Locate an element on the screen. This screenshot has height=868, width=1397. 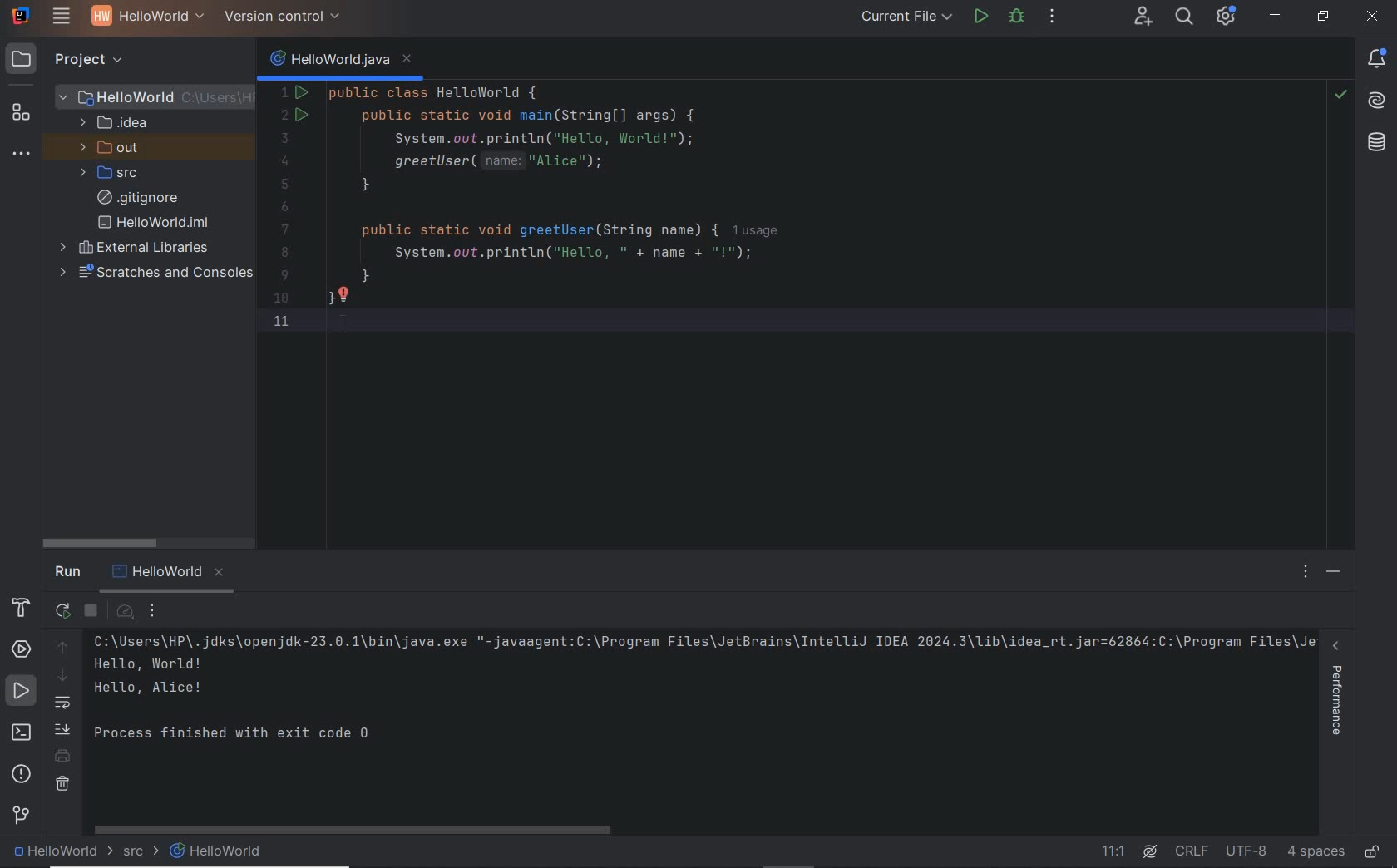
11.1(go to line) is located at coordinates (1113, 851).